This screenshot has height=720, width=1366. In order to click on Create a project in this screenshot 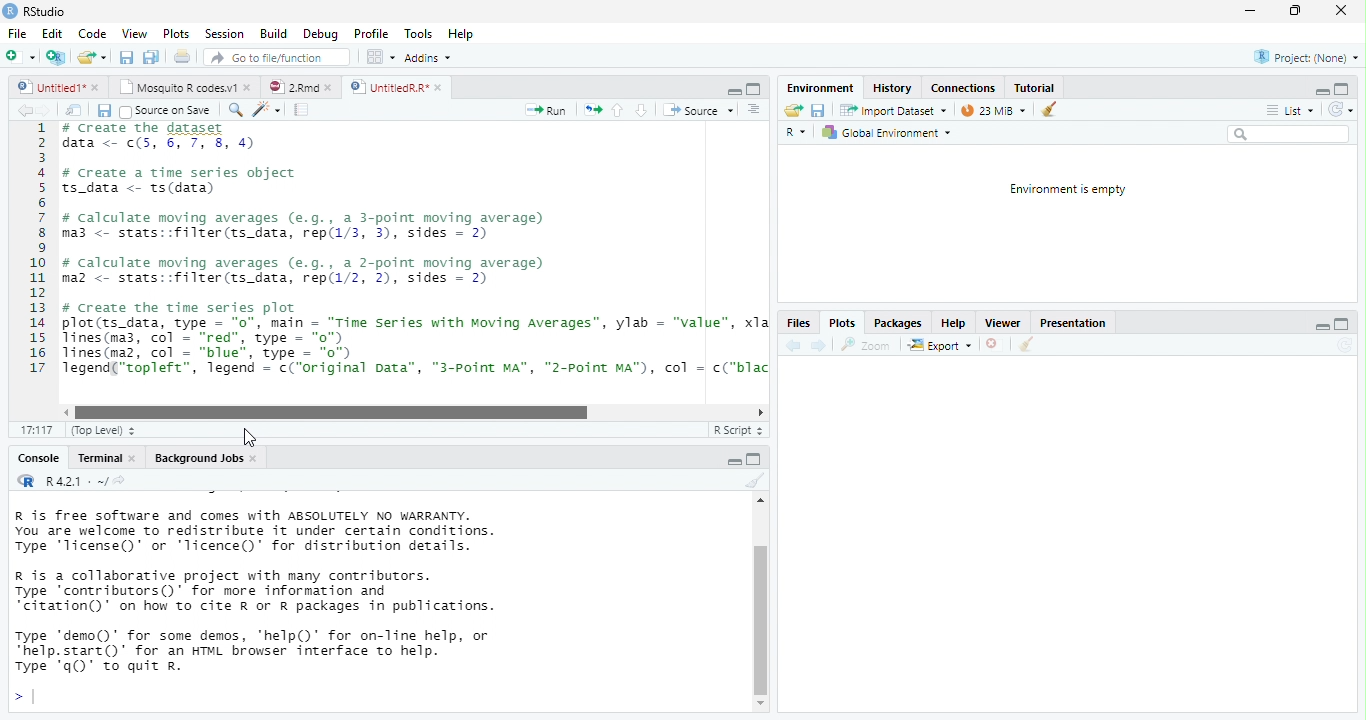, I will do `click(55, 57)`.